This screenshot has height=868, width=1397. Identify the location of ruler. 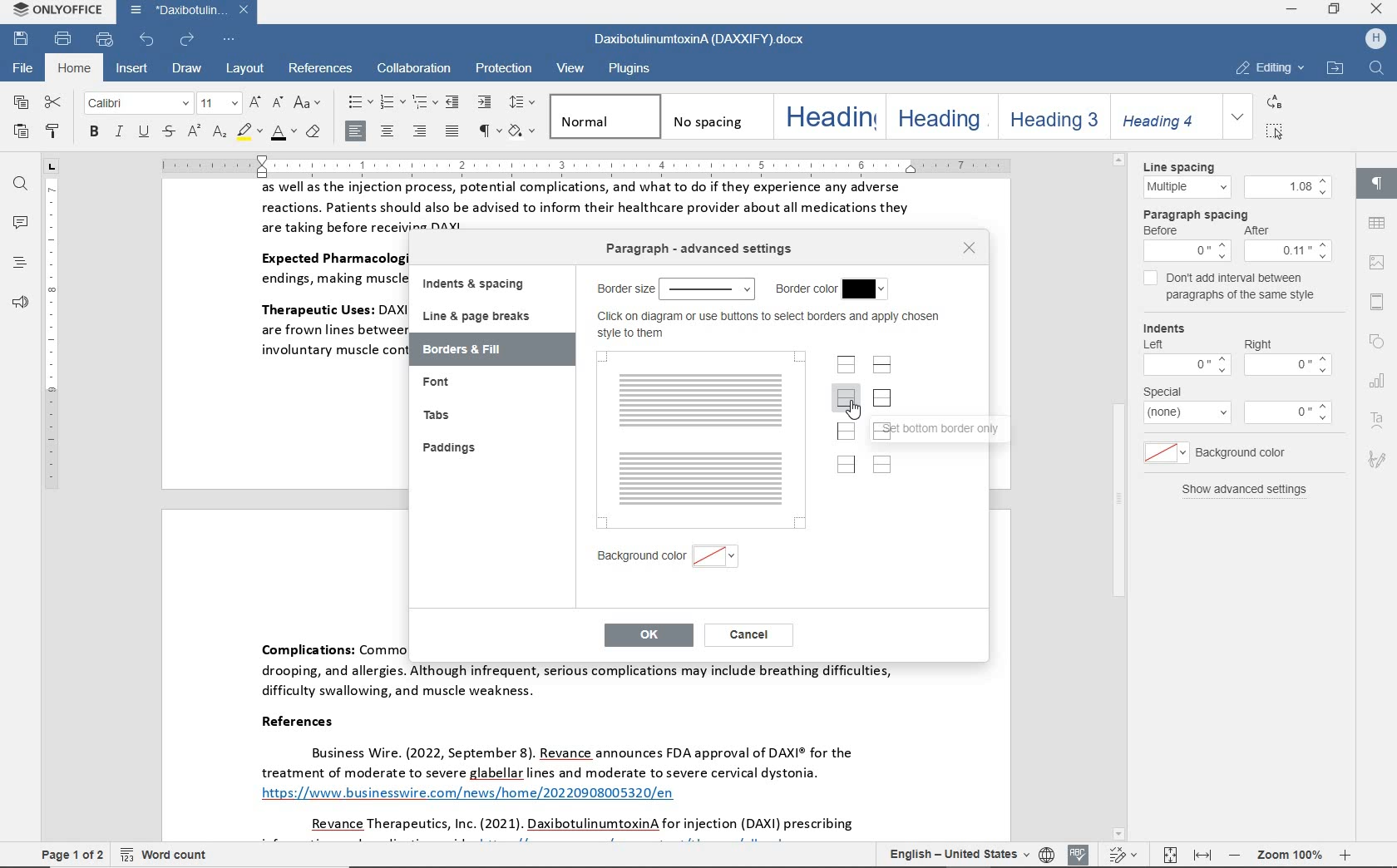
(52, 508).